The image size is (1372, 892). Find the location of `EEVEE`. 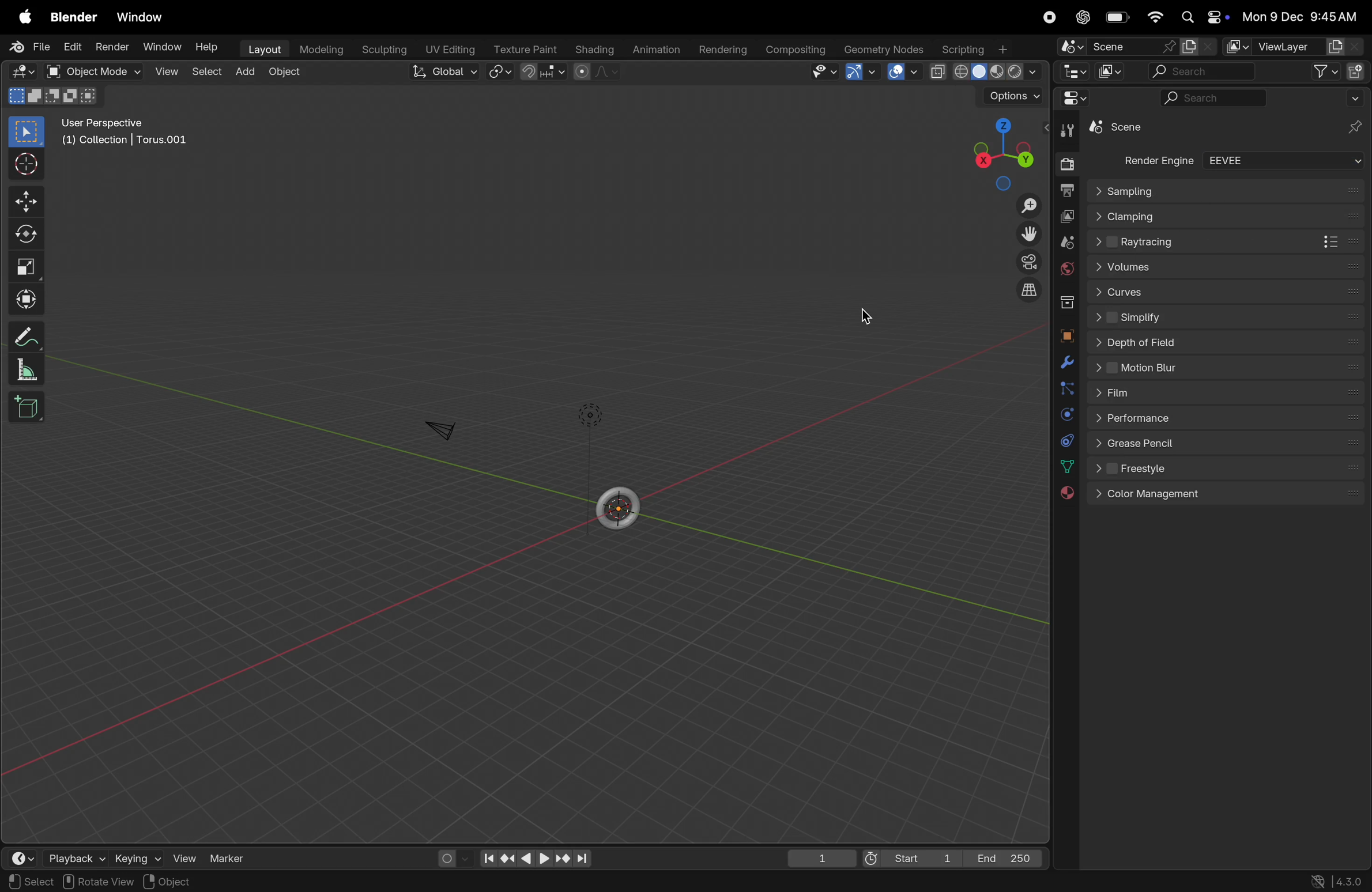

EEVEE is located at coordinates (1285, 161).